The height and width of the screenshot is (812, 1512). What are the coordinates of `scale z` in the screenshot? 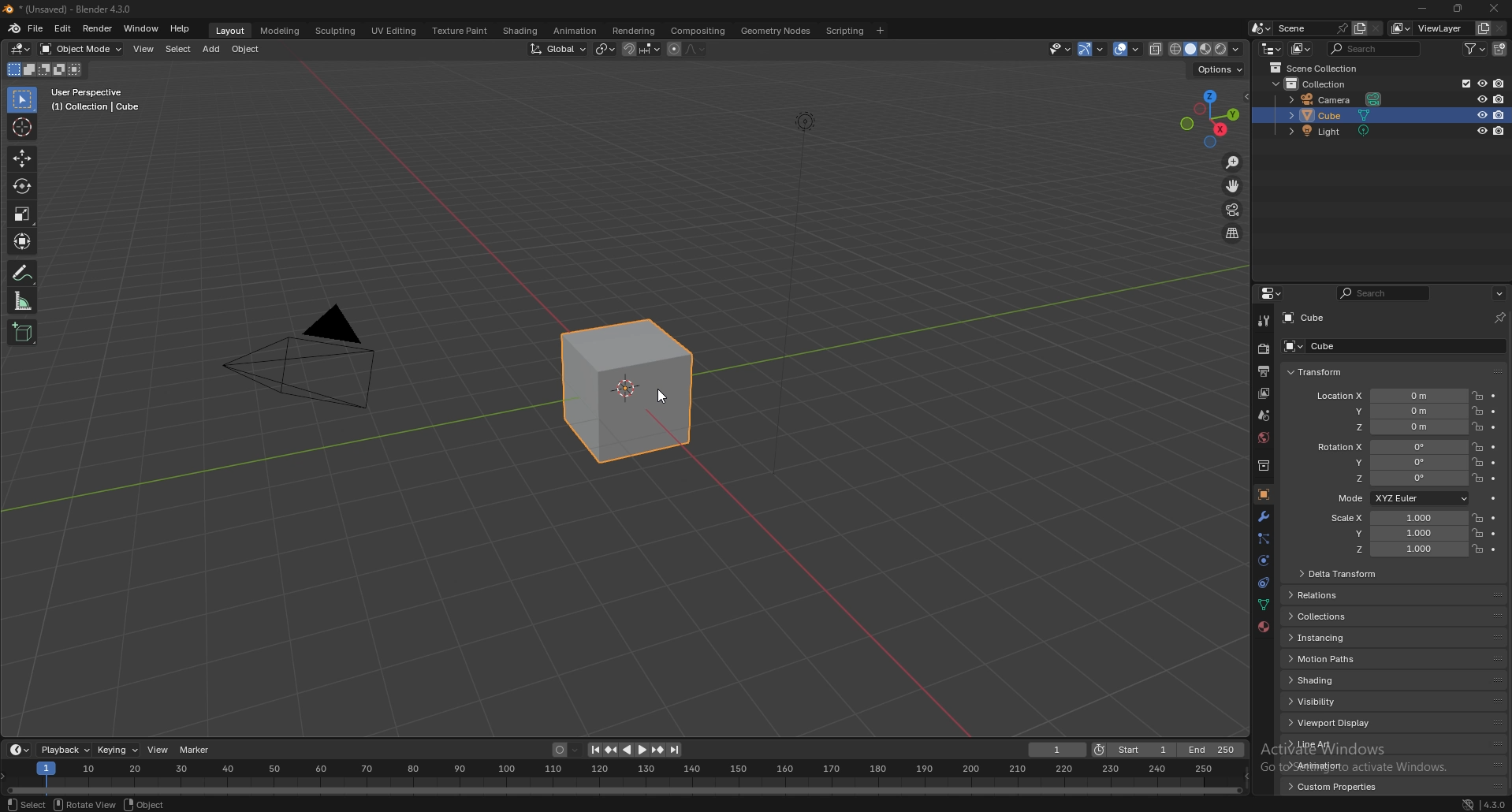 It's located at (1400, 549).